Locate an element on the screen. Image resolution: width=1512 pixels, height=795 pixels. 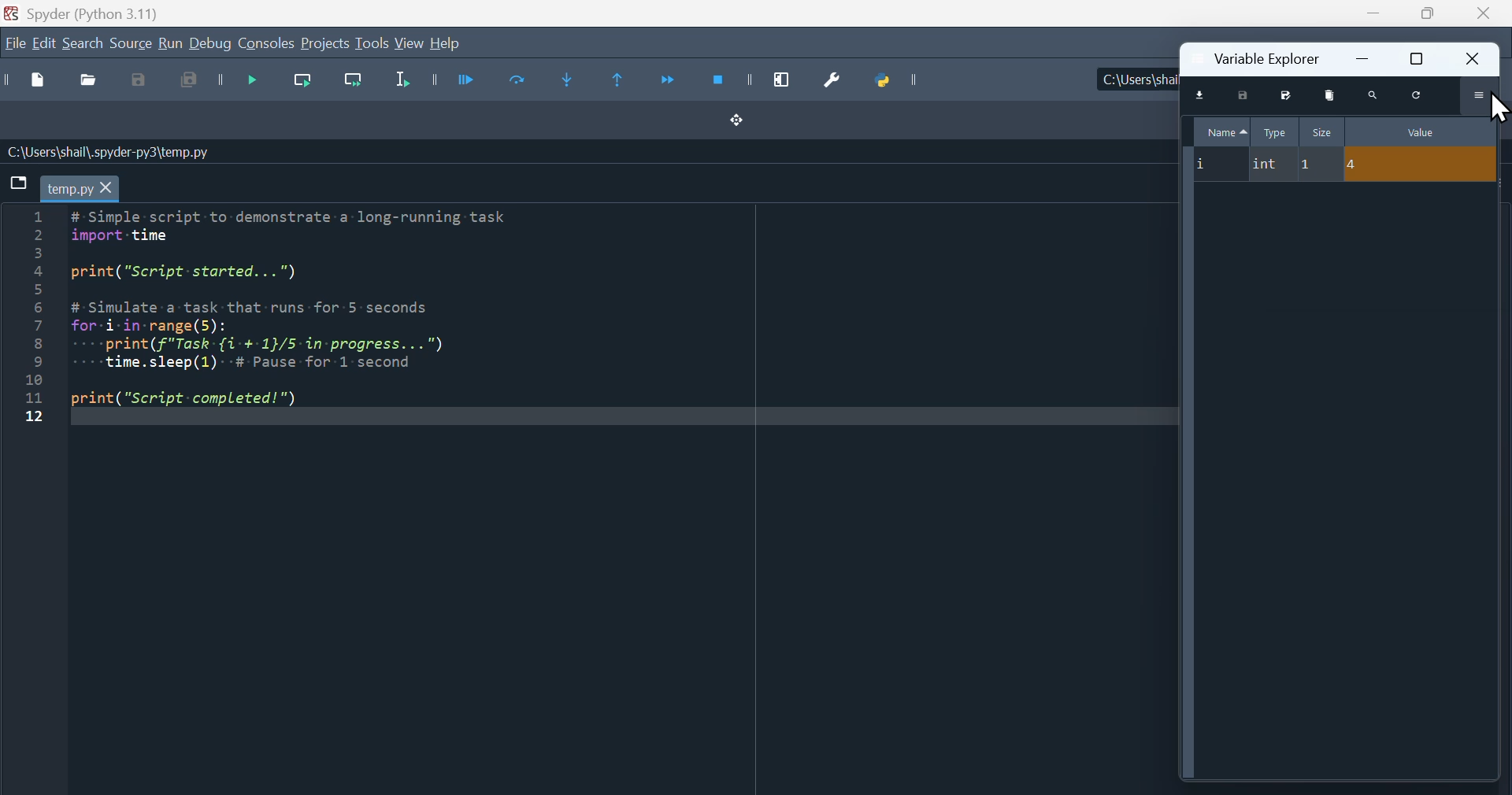
Value is located at coordinates (1421, 131).